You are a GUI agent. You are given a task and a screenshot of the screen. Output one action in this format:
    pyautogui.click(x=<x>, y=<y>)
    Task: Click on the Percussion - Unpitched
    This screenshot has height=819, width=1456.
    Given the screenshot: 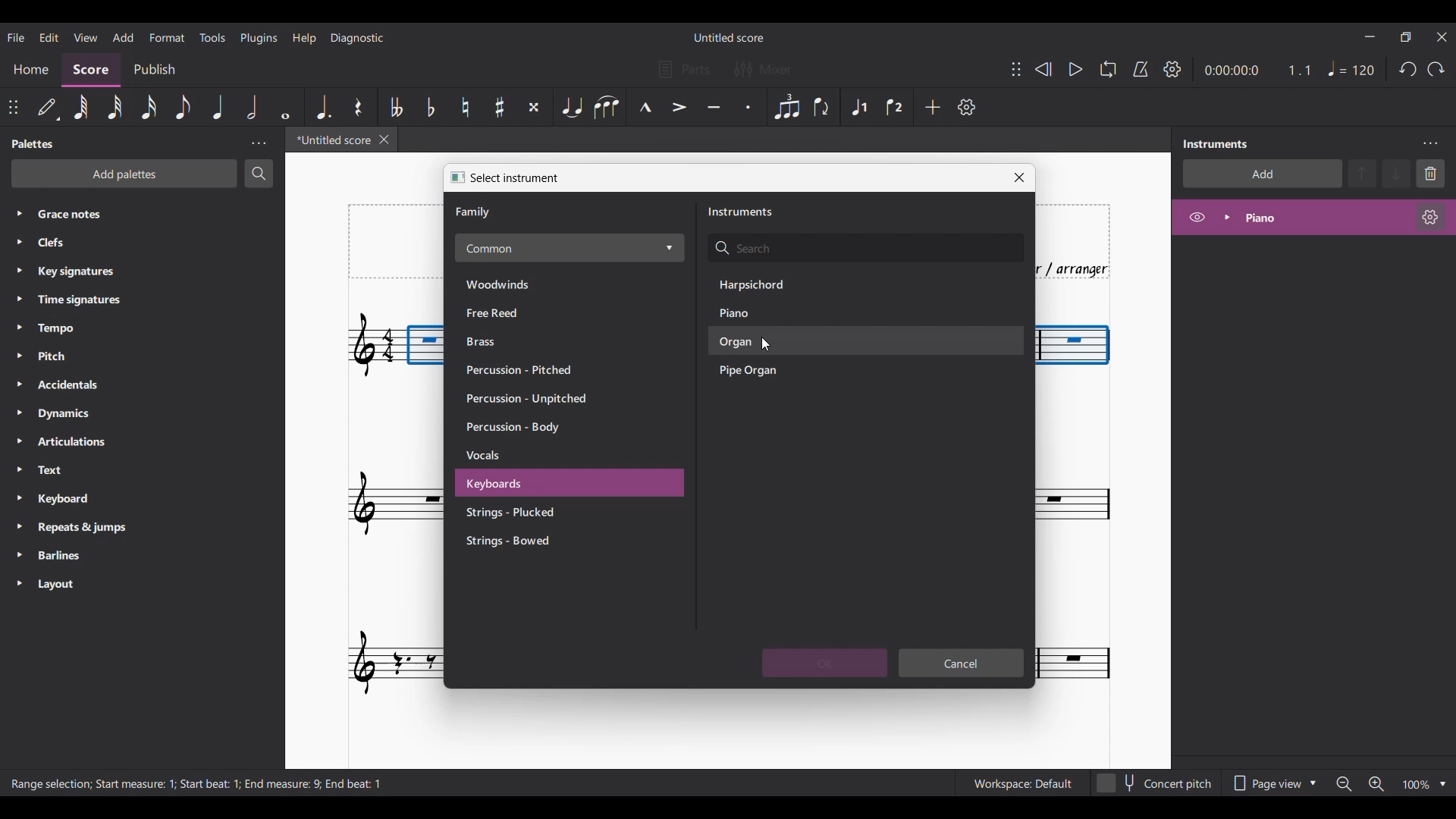 What is the action you would take?
    pyautogui.click(x=532, y=400)
    